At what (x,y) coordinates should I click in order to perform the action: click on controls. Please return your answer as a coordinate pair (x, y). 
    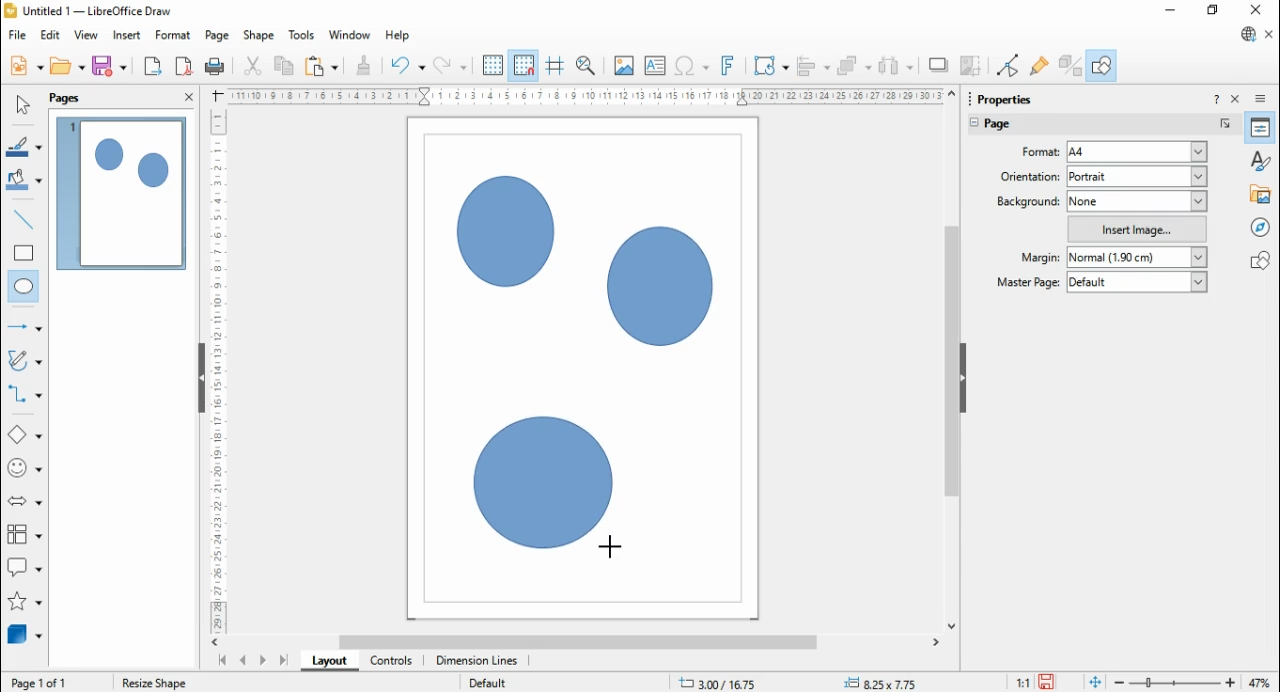
    Looking at the image, I should click on (390, 661).